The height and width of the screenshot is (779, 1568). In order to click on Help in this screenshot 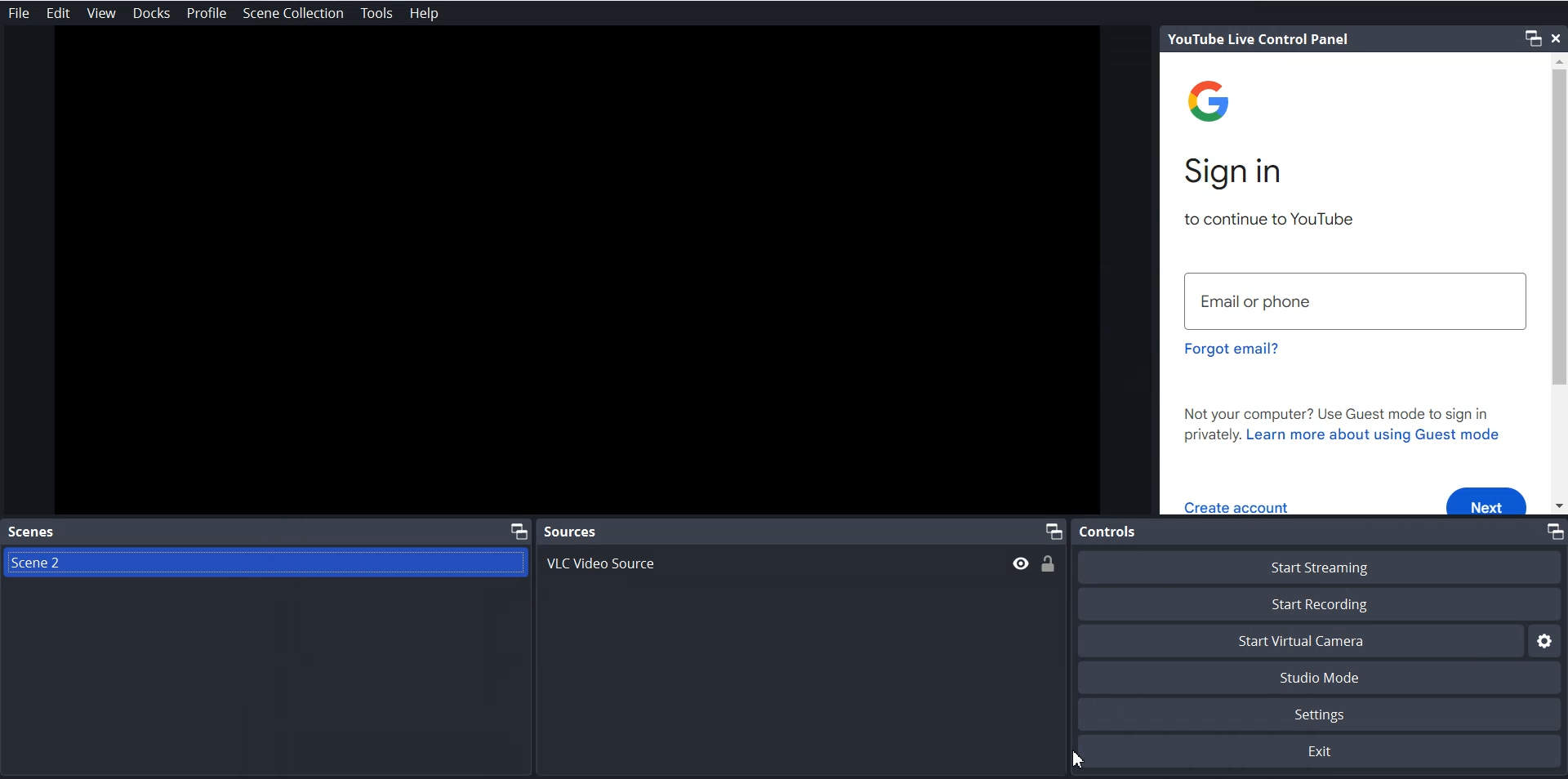, I will do `click(423, 13)`.